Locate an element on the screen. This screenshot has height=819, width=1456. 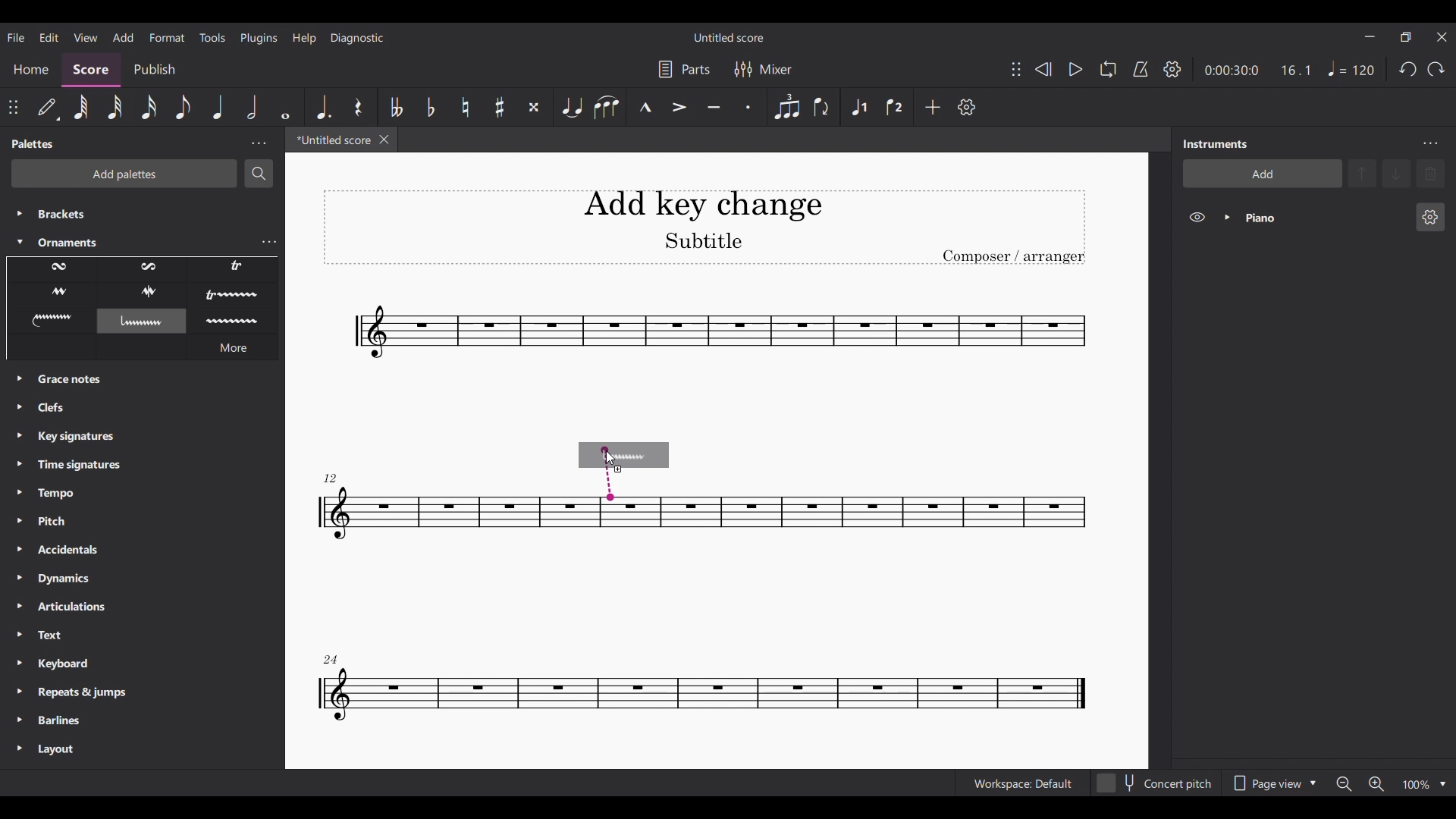
File menu is located at coordinates (16, 36).